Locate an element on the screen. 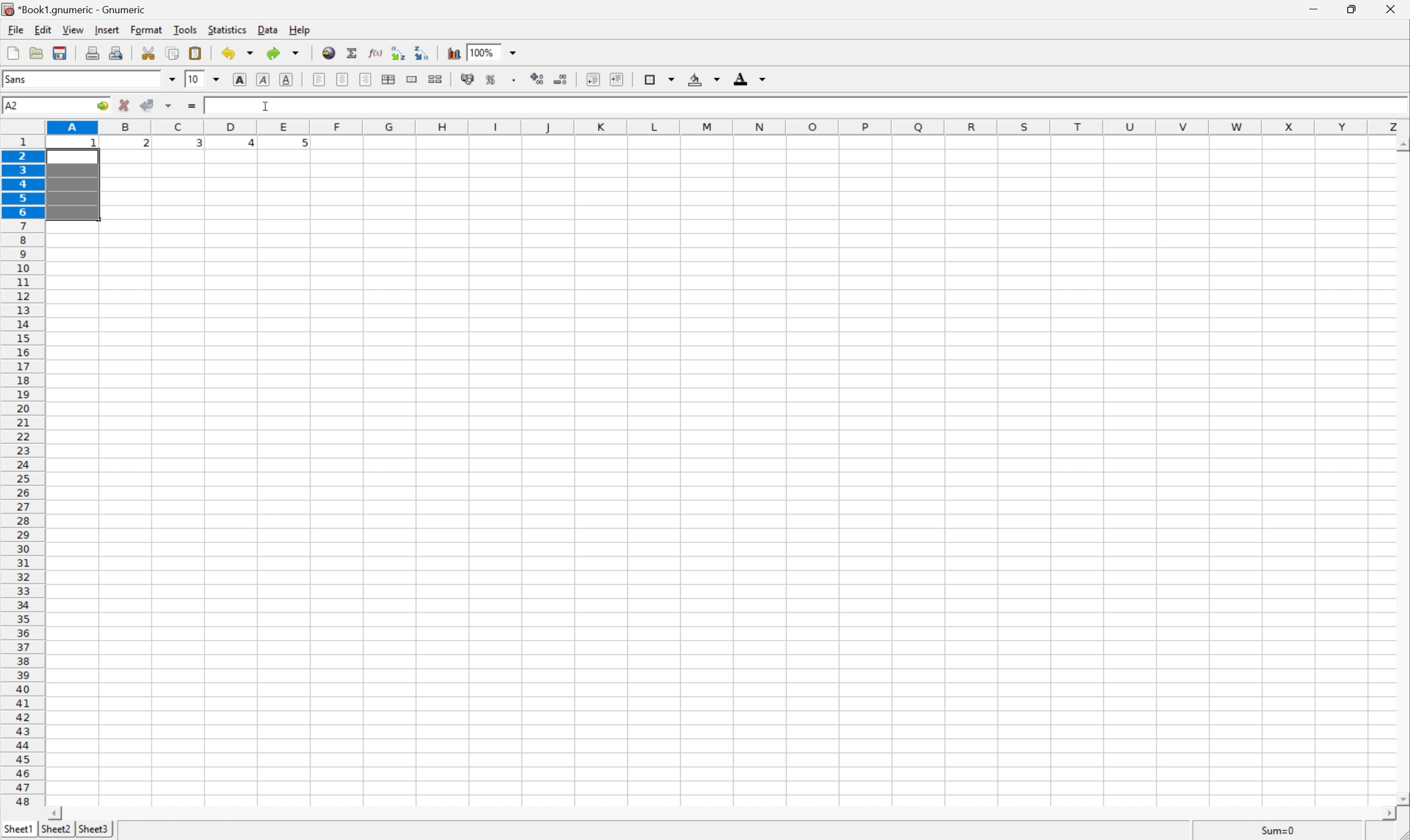  row numbers is located at coordinates (23, 471).